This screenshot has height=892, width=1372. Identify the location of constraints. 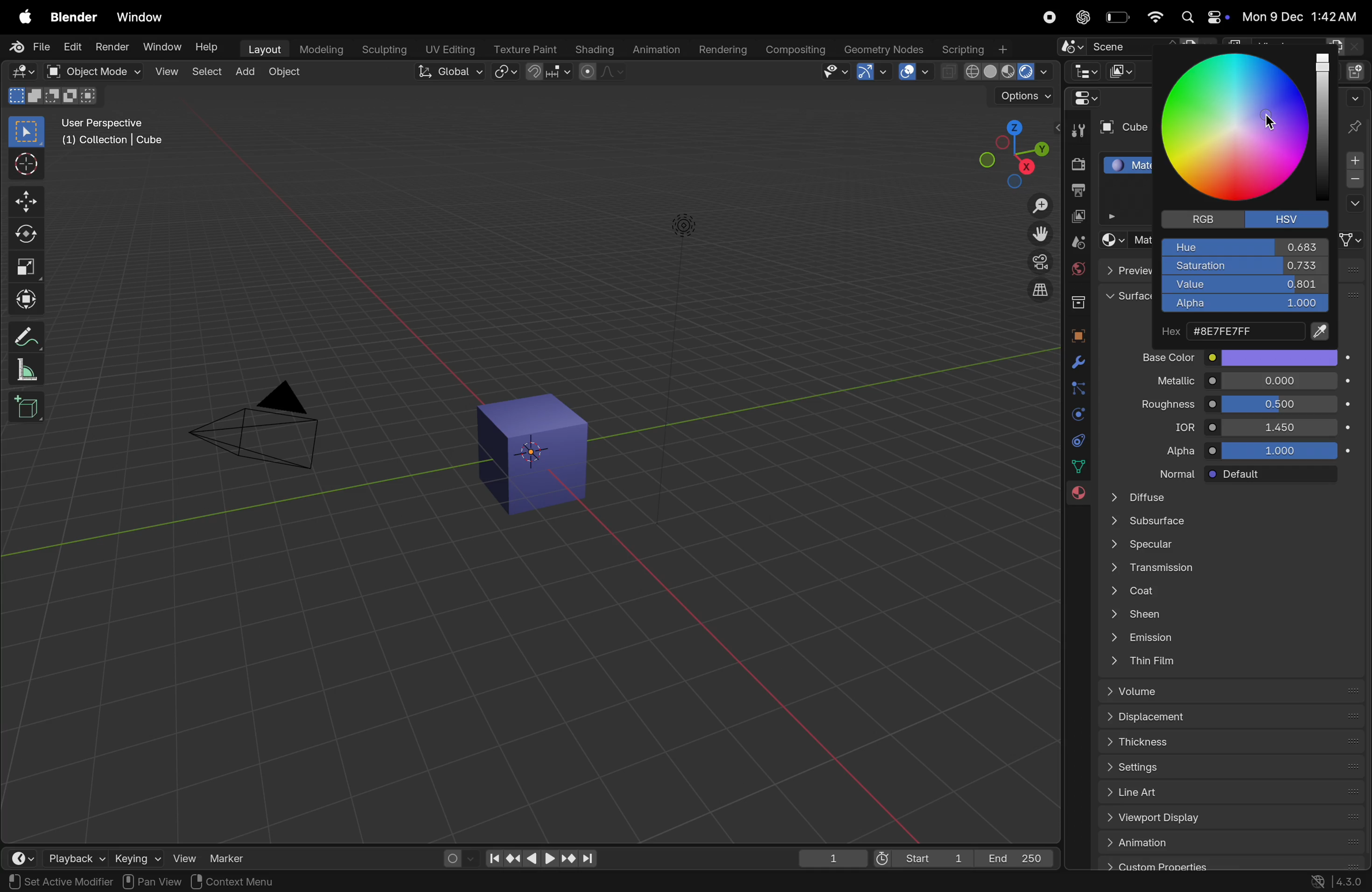
(1076, 440).